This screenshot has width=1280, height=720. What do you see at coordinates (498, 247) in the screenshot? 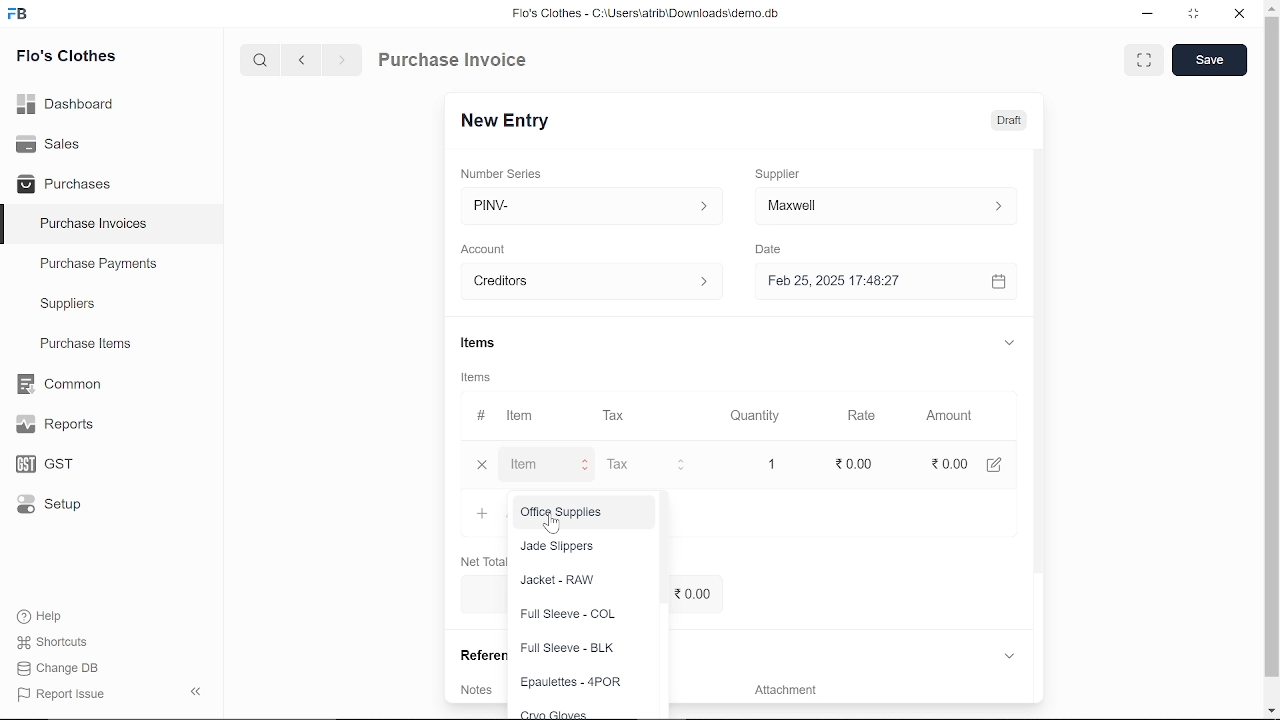
I see `Account` at bounding box center [498, 247].